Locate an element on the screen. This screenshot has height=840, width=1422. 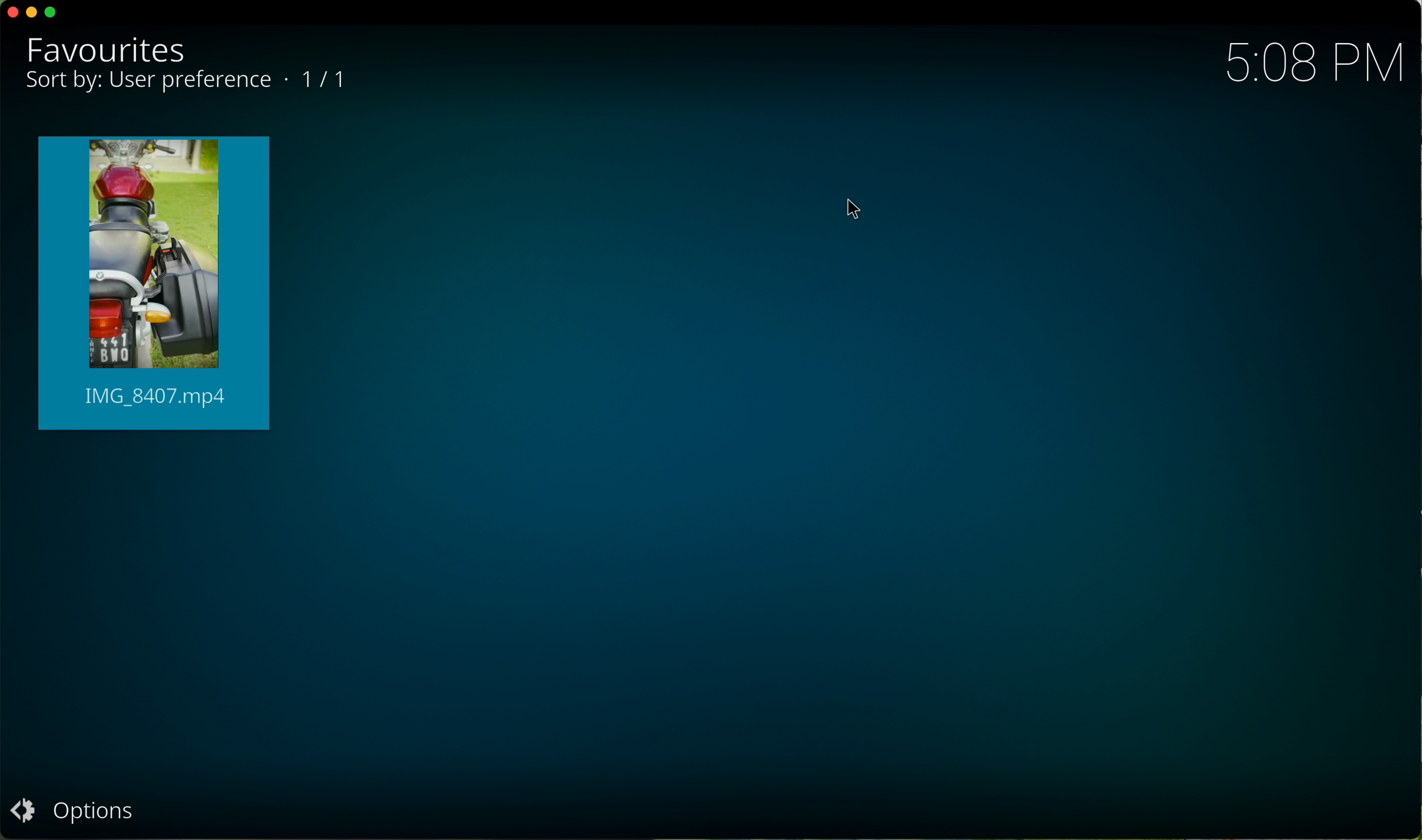
video is located at coordinates (156, 283).